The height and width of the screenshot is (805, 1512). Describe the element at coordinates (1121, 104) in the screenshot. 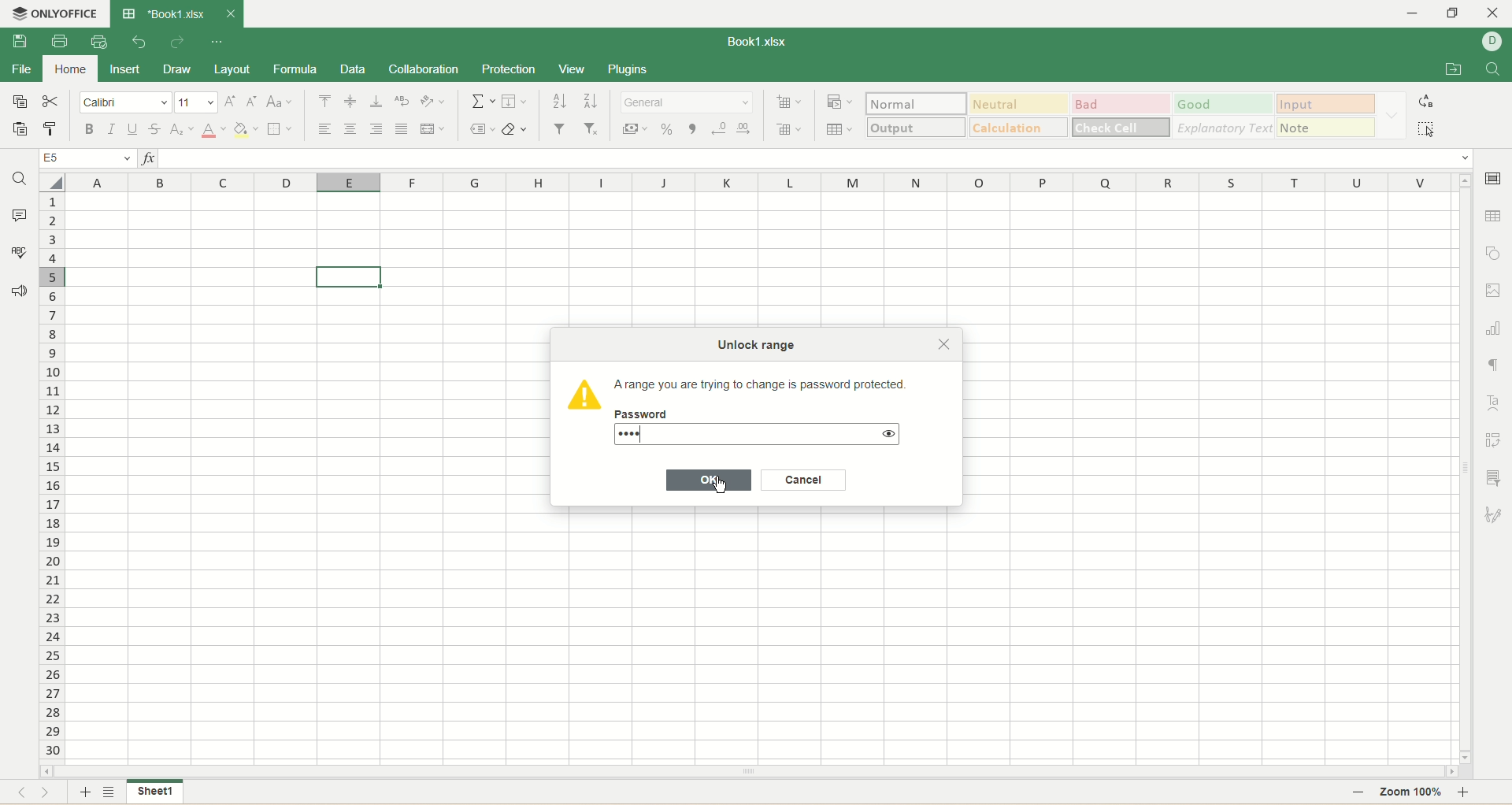

I see `bad` at that location.